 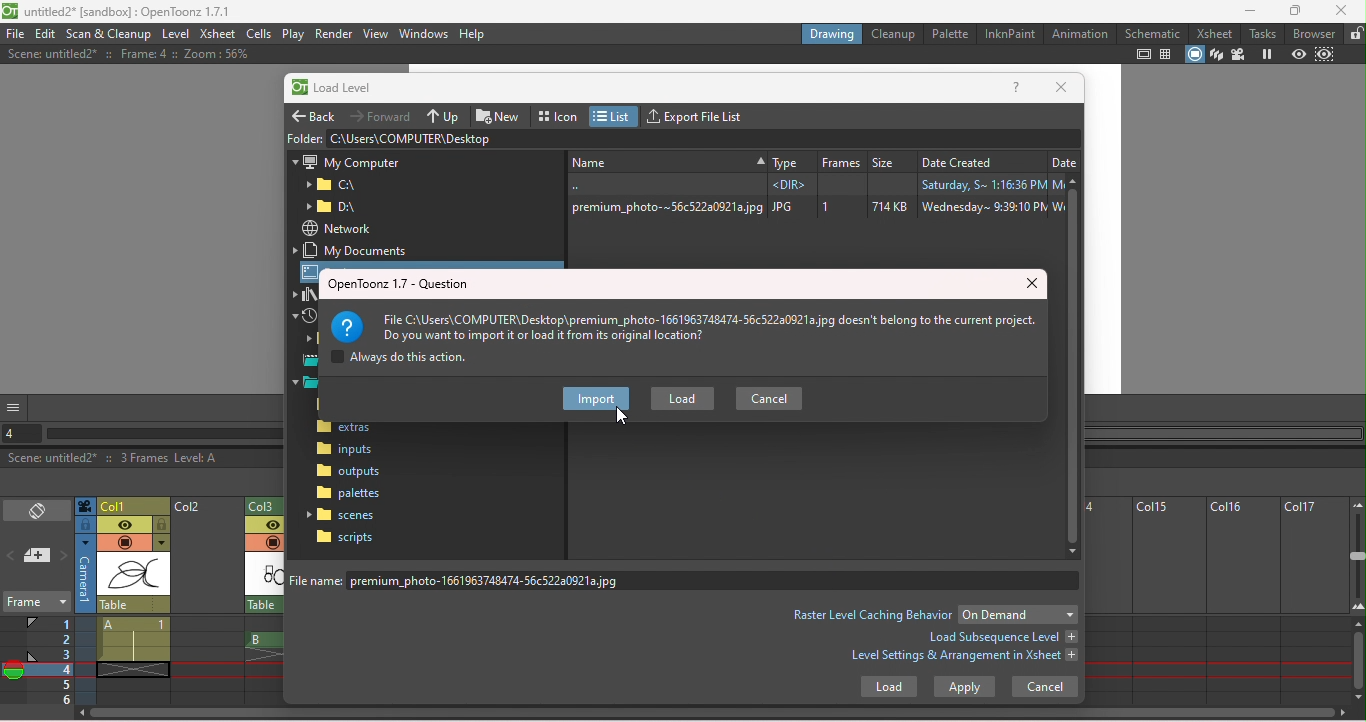 I want to click on Frame, so click(x=35, y=604).